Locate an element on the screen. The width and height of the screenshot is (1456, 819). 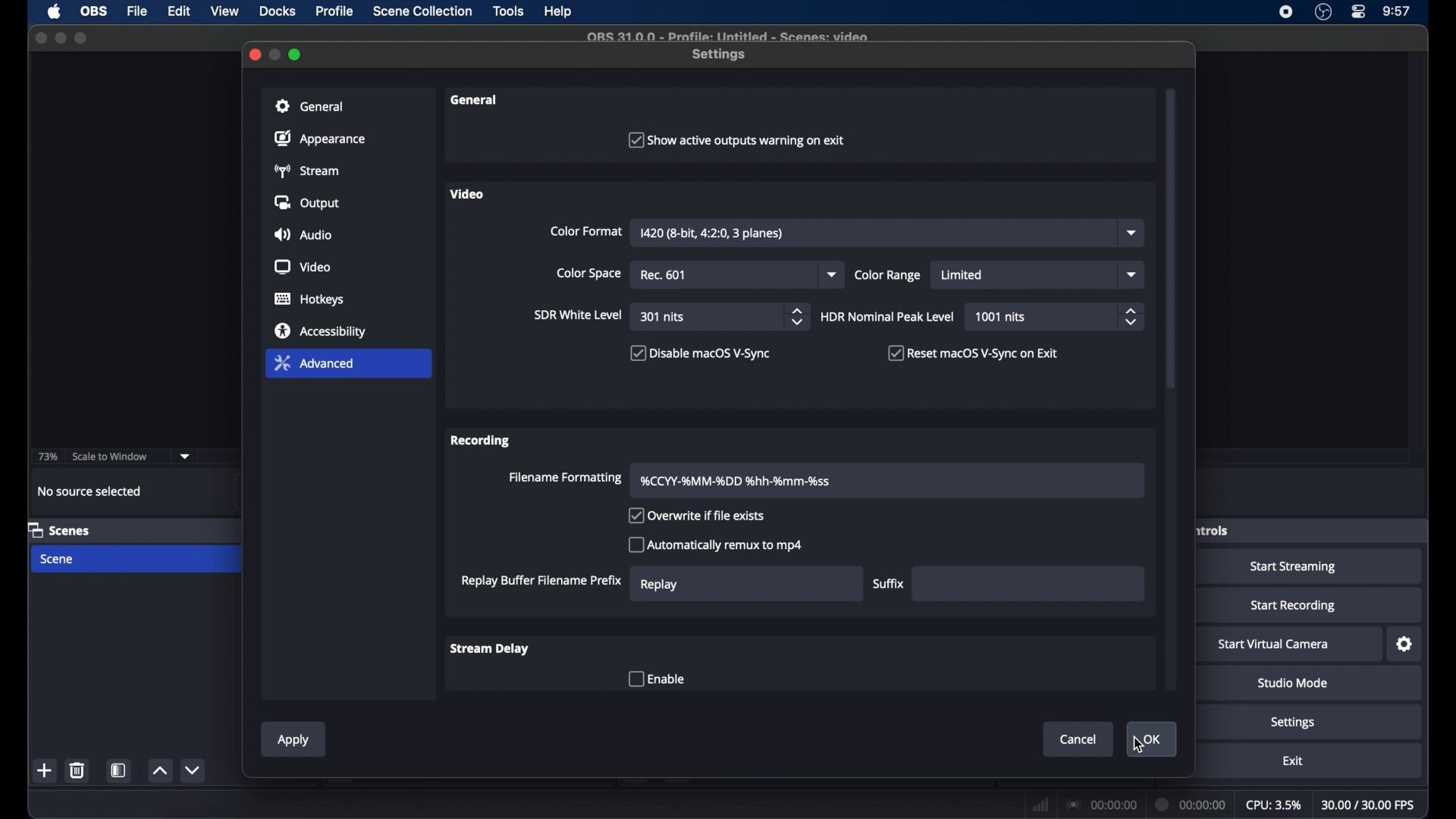
color range is located at coordinates (888, 275).